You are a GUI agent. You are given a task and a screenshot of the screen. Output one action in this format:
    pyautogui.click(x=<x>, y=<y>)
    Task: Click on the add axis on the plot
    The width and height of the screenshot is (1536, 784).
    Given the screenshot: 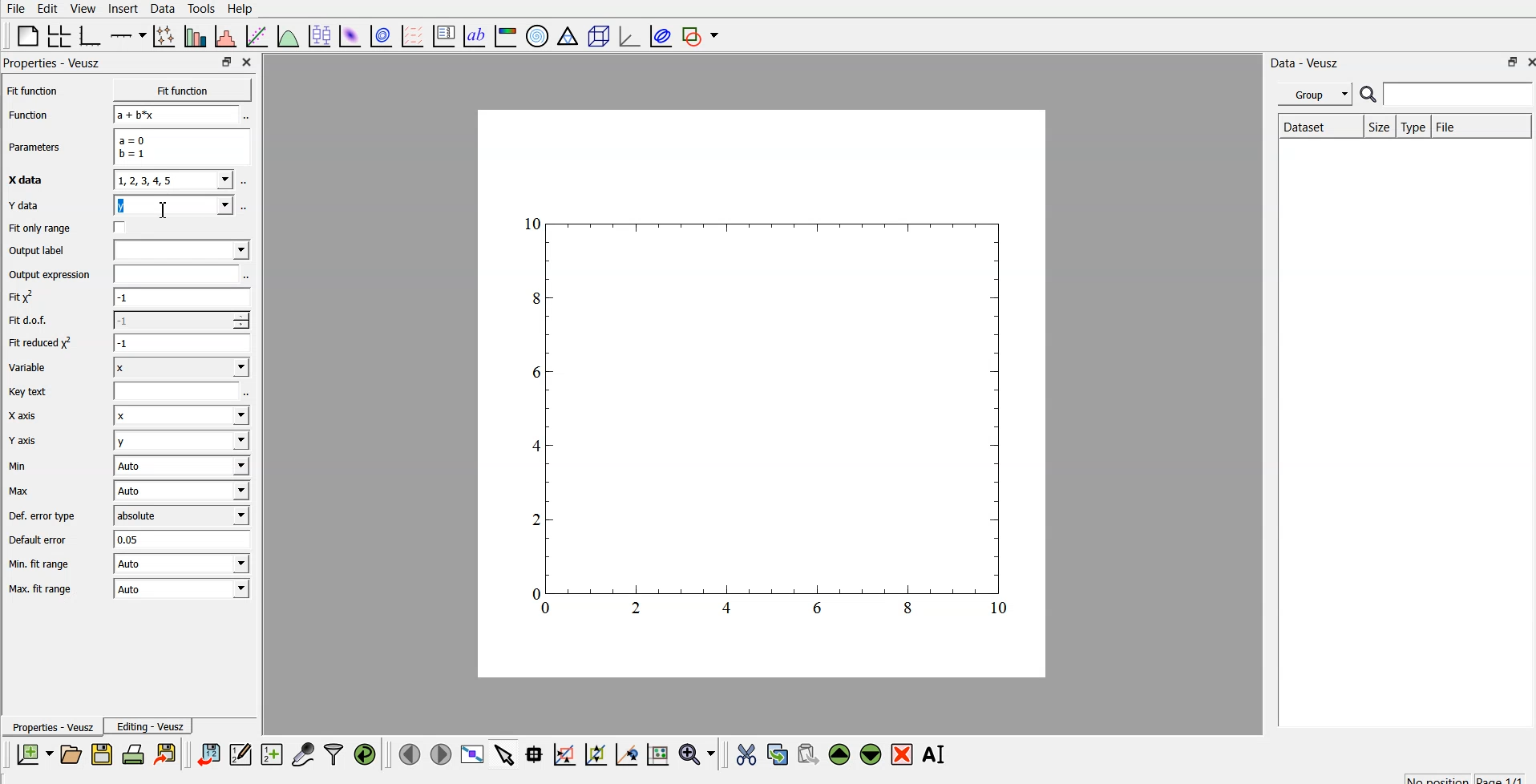 What is the action you would take?
    pyautogui.click(x=128, y=36)
    